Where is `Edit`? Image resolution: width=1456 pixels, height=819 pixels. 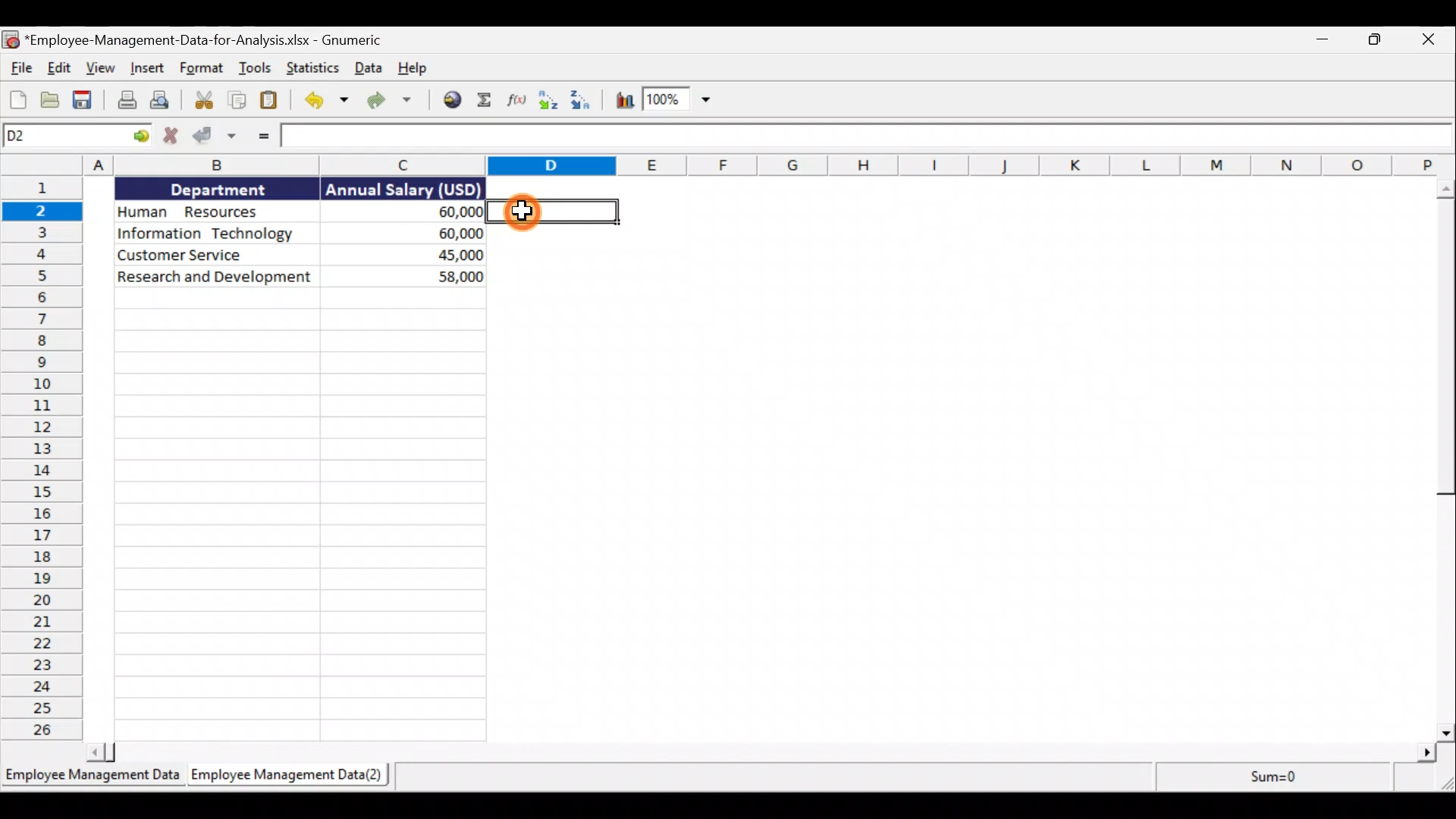
Edit is located at coordinates (57, 66).